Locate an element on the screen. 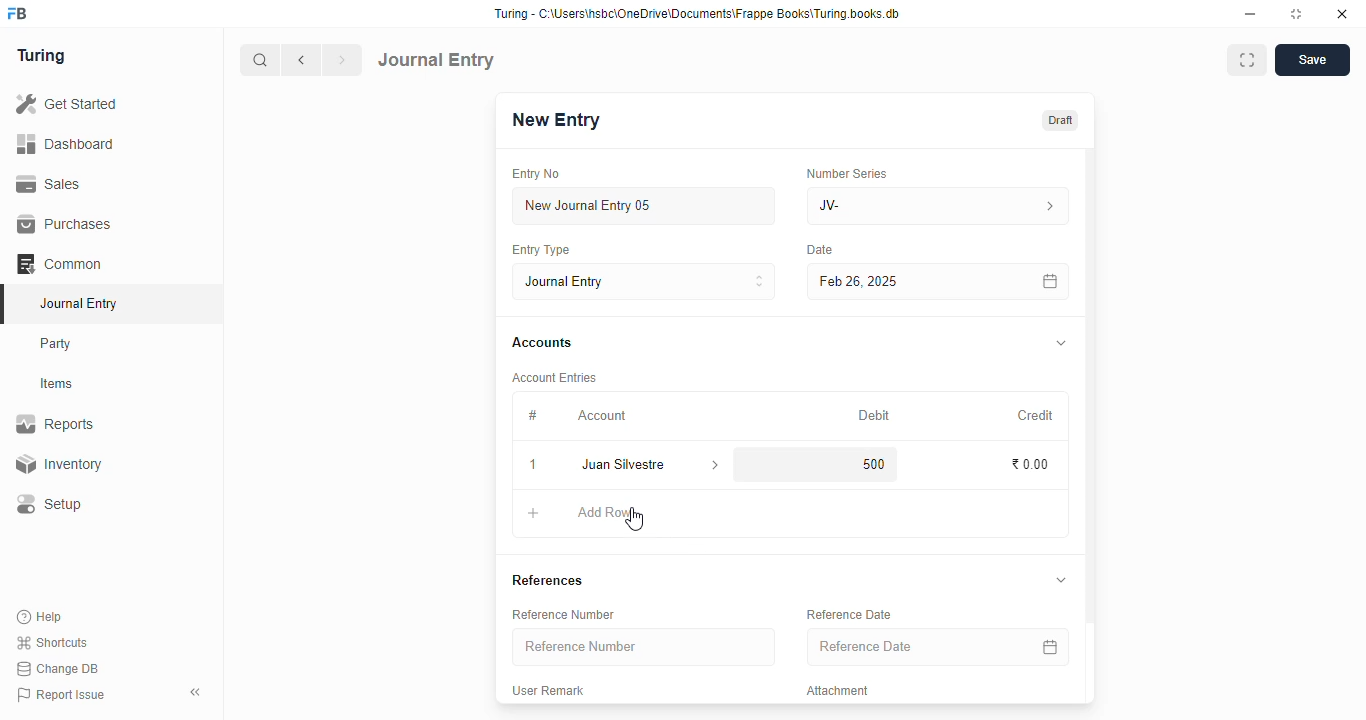  sales is located at coordinates (49, 183).